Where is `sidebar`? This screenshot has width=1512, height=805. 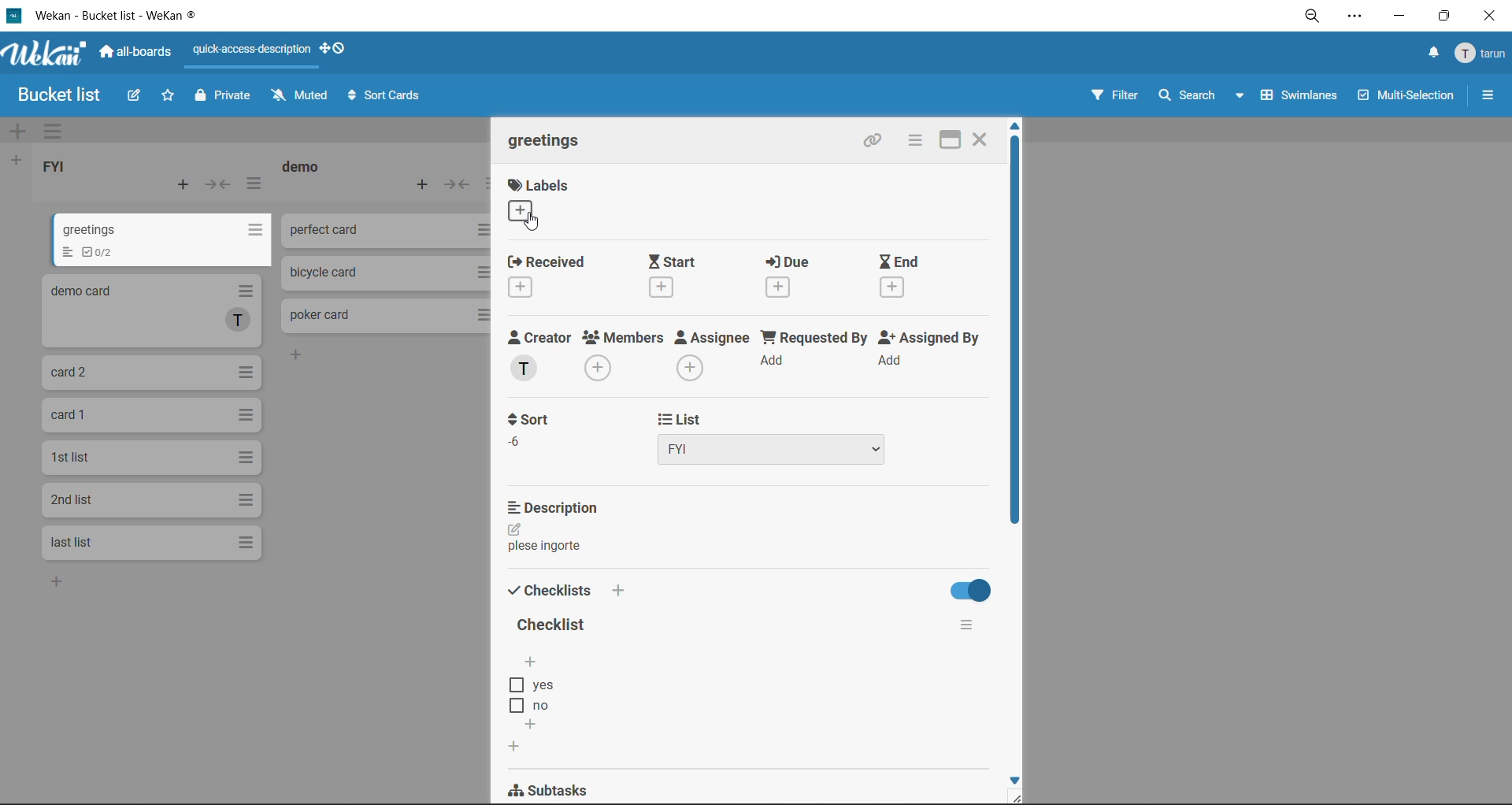 sidebar is located at coordinates (1487, 93).